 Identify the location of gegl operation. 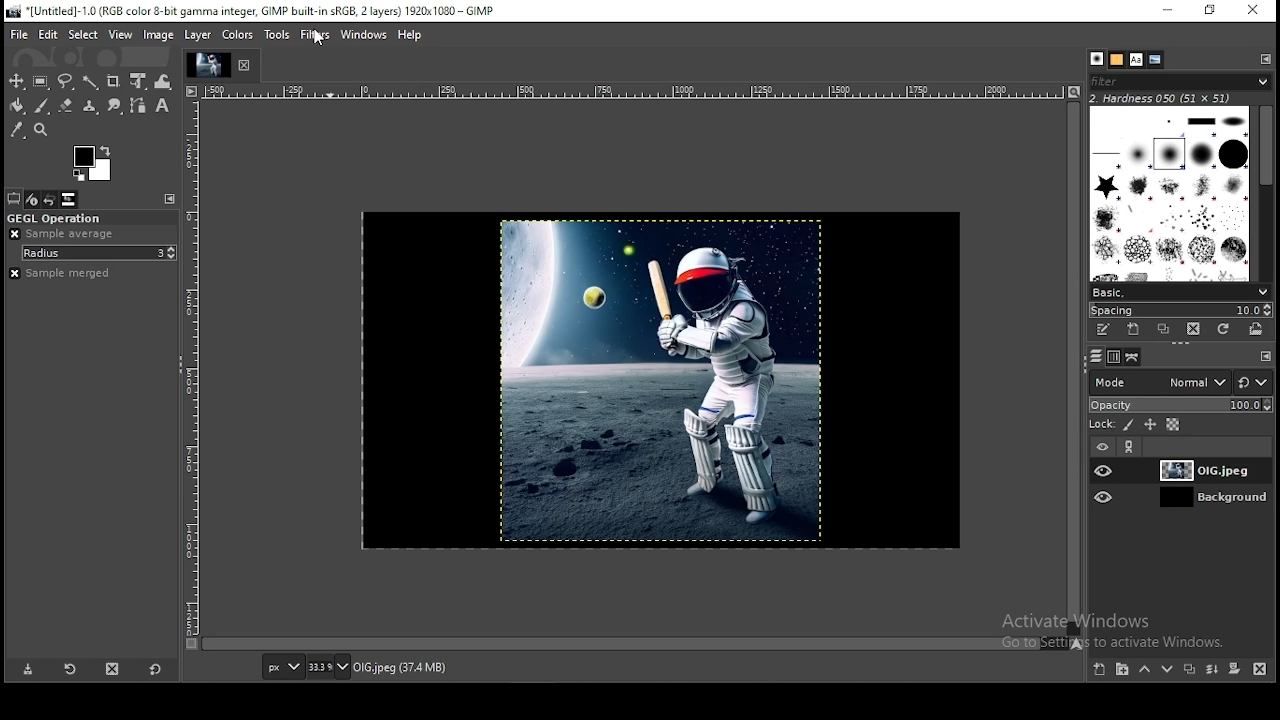
(89, 218).